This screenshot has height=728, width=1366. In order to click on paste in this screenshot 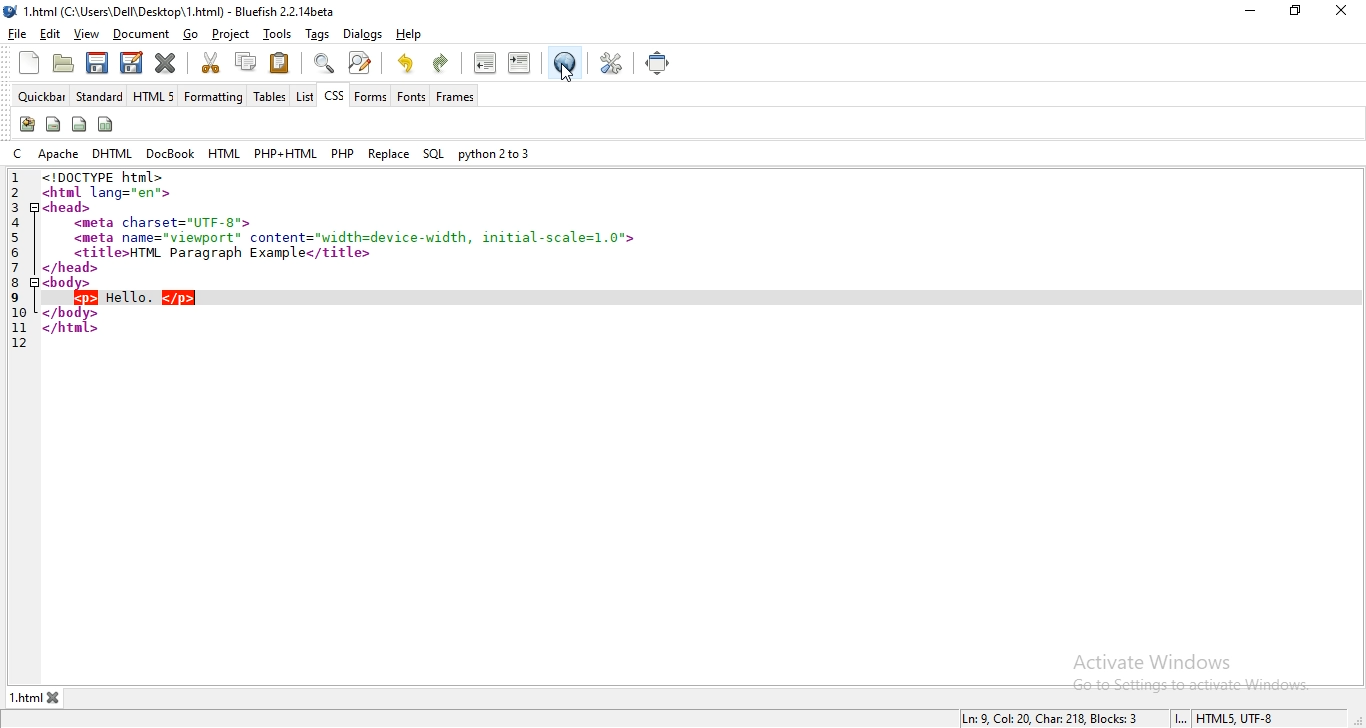, I will do `click(280, 63)`.